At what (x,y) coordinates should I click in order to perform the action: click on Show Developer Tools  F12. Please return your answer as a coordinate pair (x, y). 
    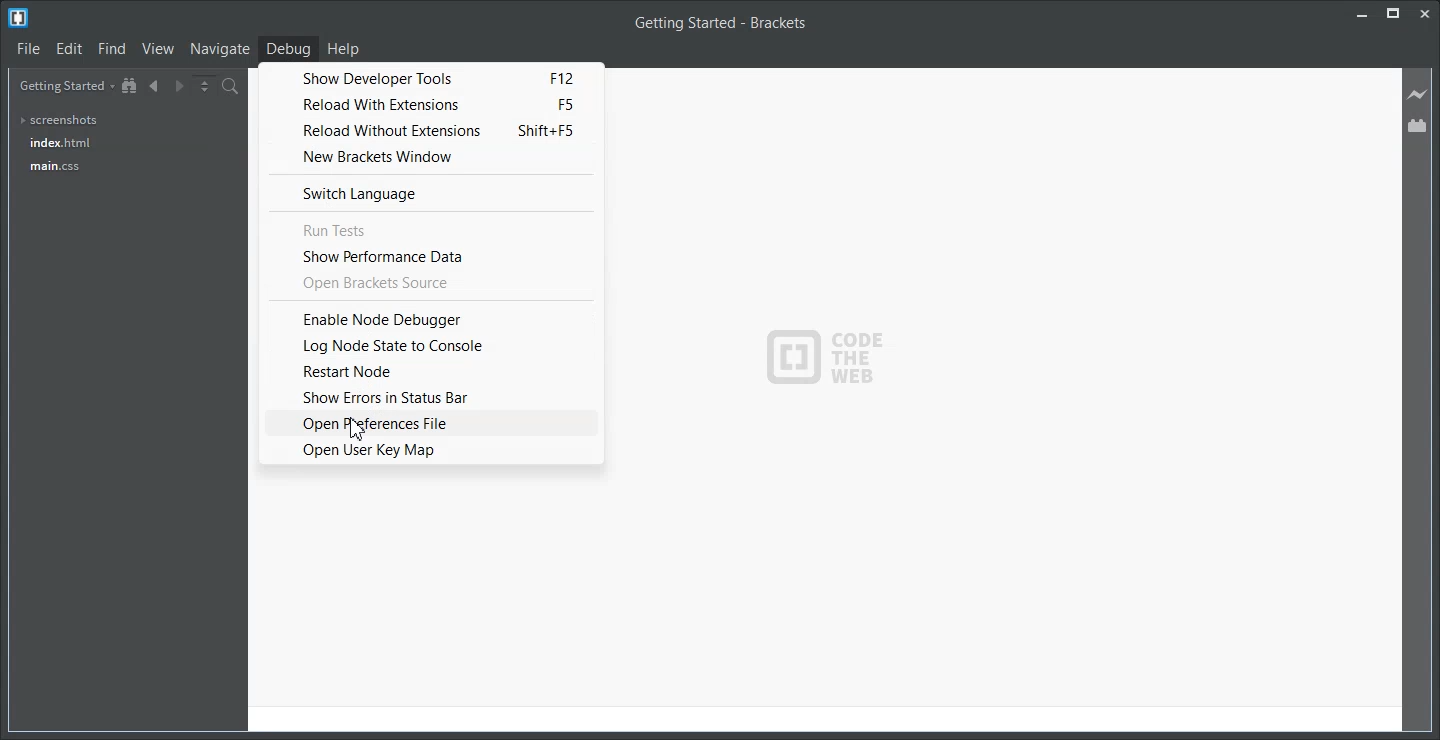
    Looking at the image, I should click on (432, 78).